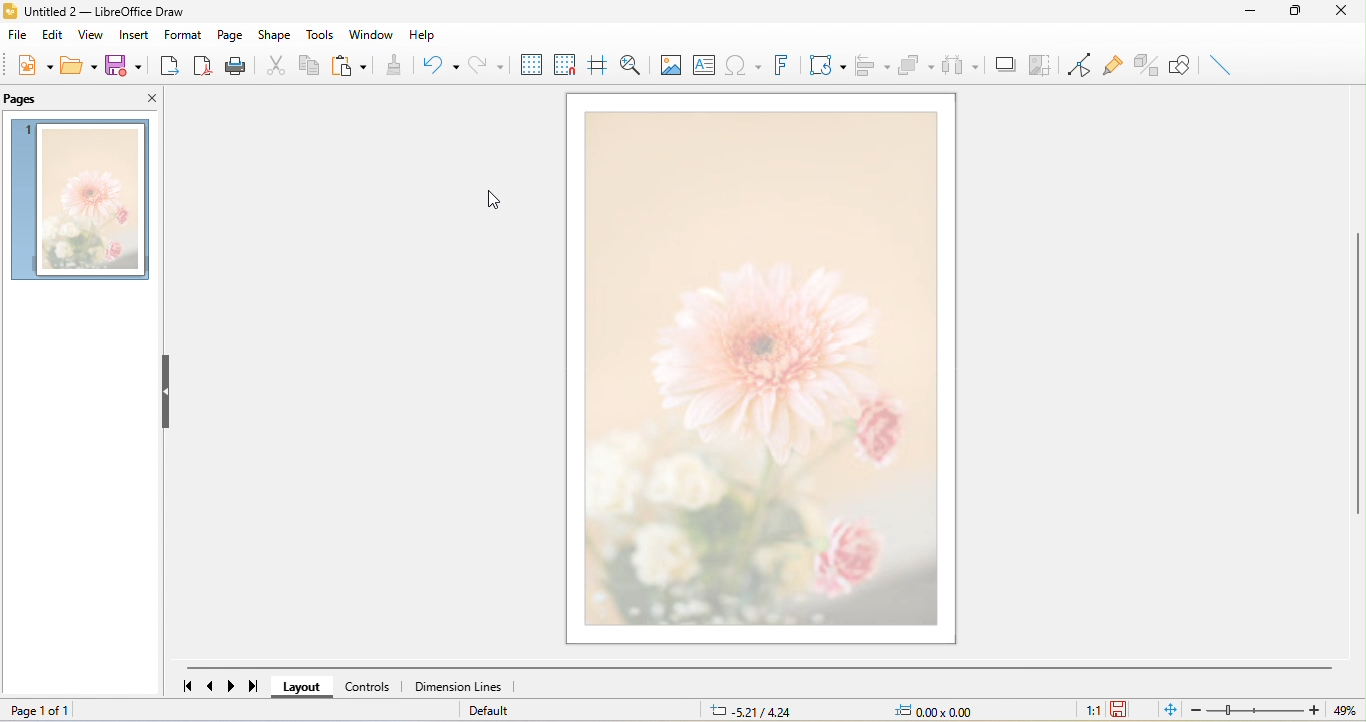 This screenshot has width=1366, height=722. What do you see at coordinates (1271, 710) in the screenshot?
I see `zoom` at bounding box center [1271, 710].